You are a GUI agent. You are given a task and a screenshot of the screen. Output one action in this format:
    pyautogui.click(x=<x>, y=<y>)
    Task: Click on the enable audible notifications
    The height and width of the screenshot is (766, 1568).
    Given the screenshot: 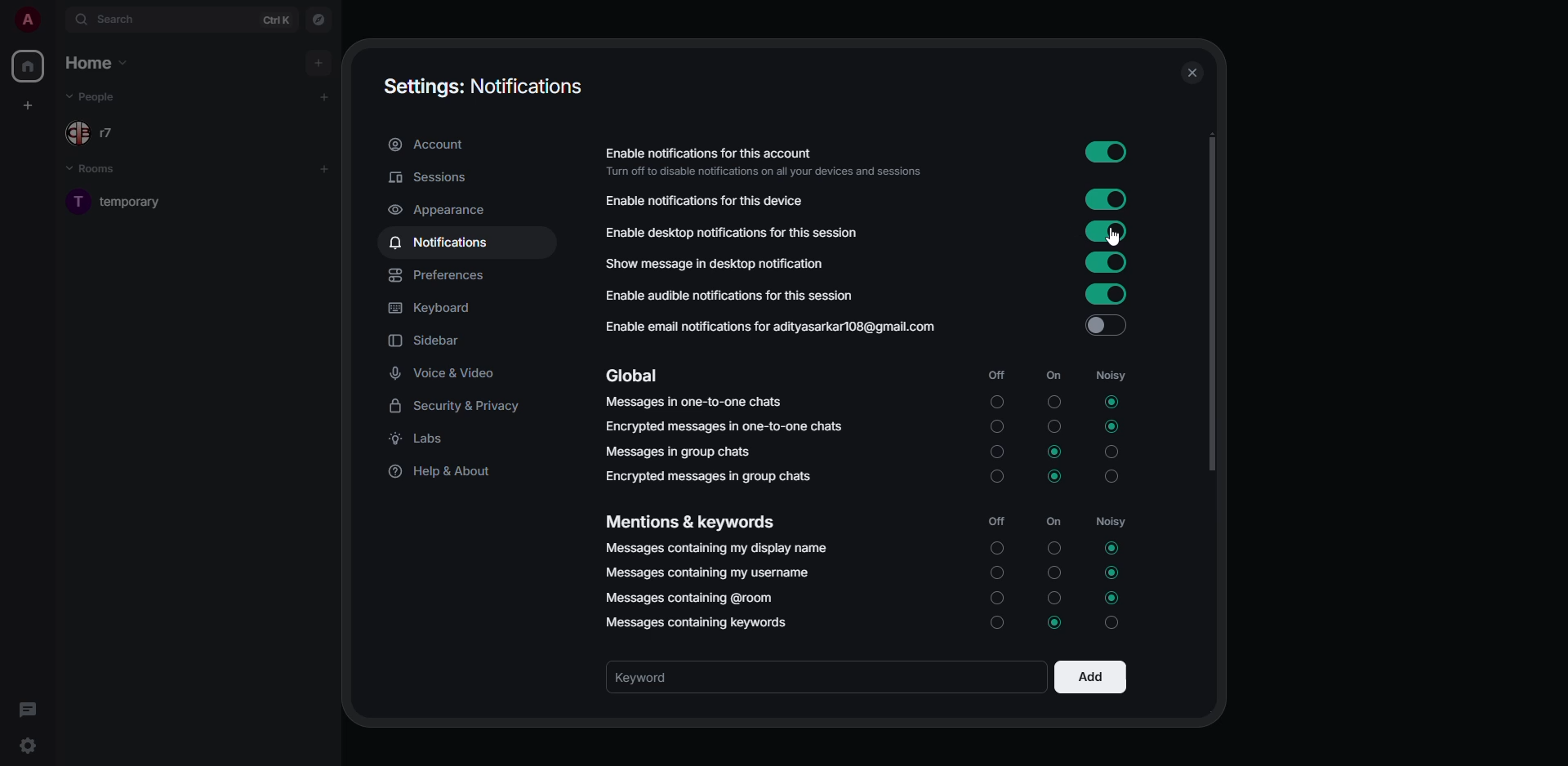 What is the action you would take?
    pyautogui.click(x=732, y=297)
    